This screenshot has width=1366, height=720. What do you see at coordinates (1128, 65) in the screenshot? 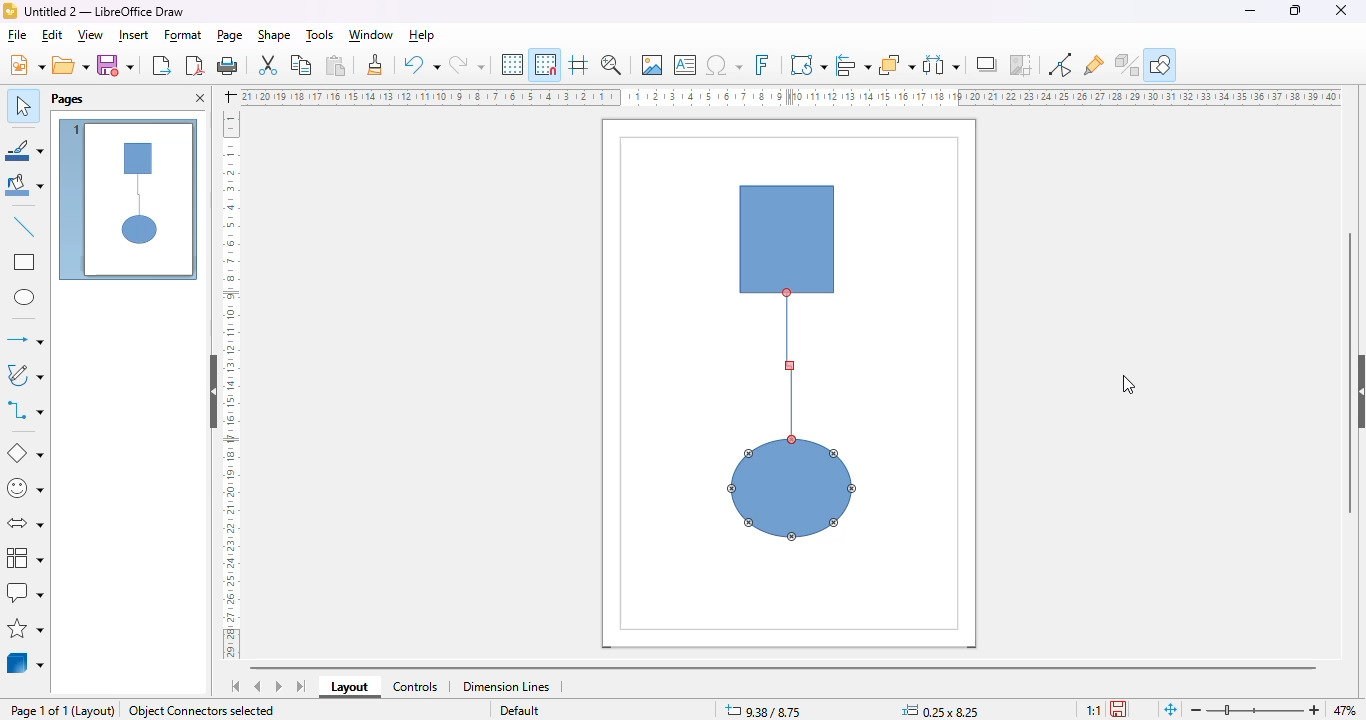
I see `toggle extrusion` at bounding box center [1128, 65].